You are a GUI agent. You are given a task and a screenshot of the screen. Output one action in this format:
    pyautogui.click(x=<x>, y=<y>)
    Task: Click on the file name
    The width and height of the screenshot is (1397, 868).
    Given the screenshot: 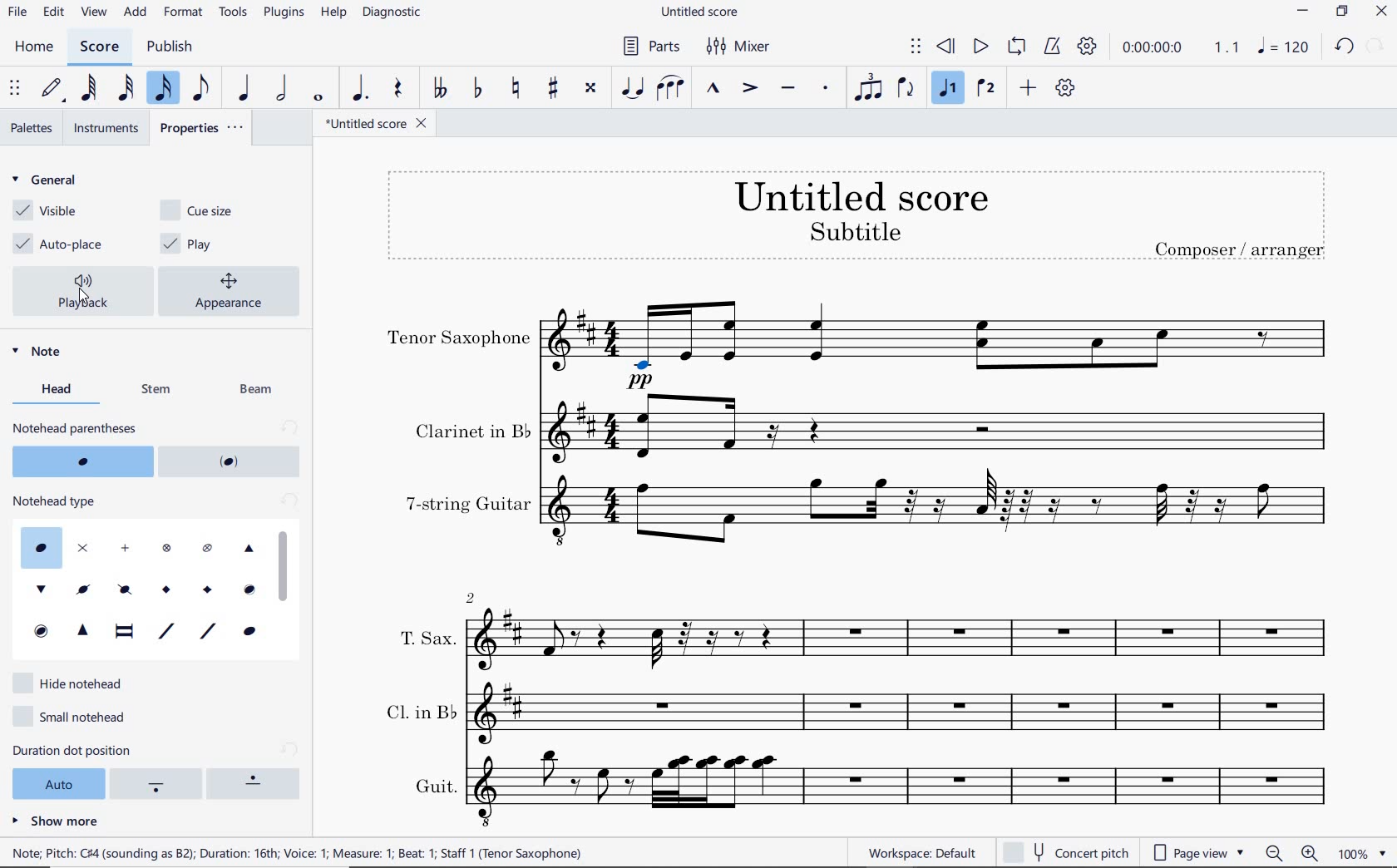 What is the action you would take?
    pyautogui.click(x=378, y=124)
    